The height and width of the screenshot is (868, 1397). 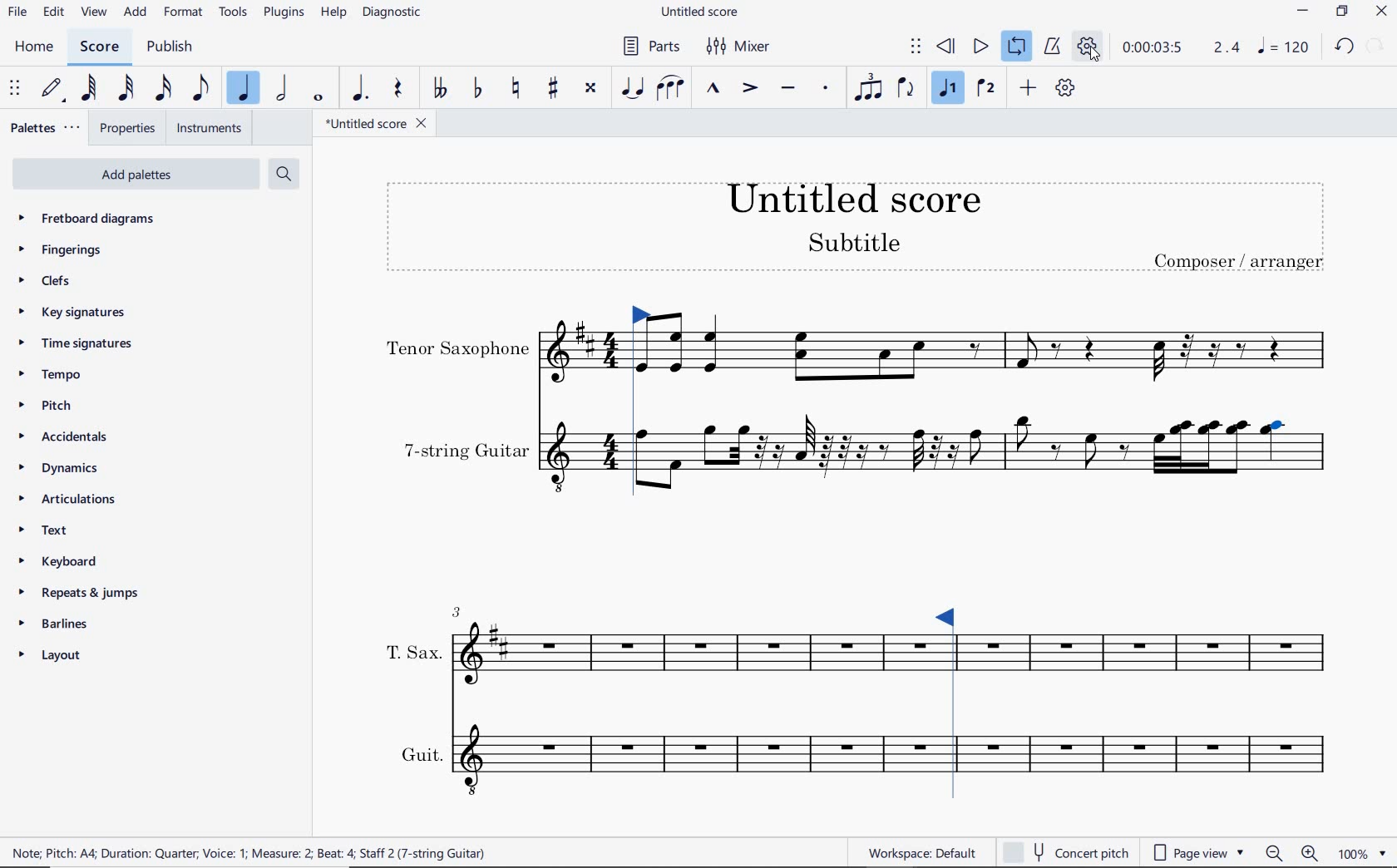 I want to click on REDO, so click(x=1377, y=44).